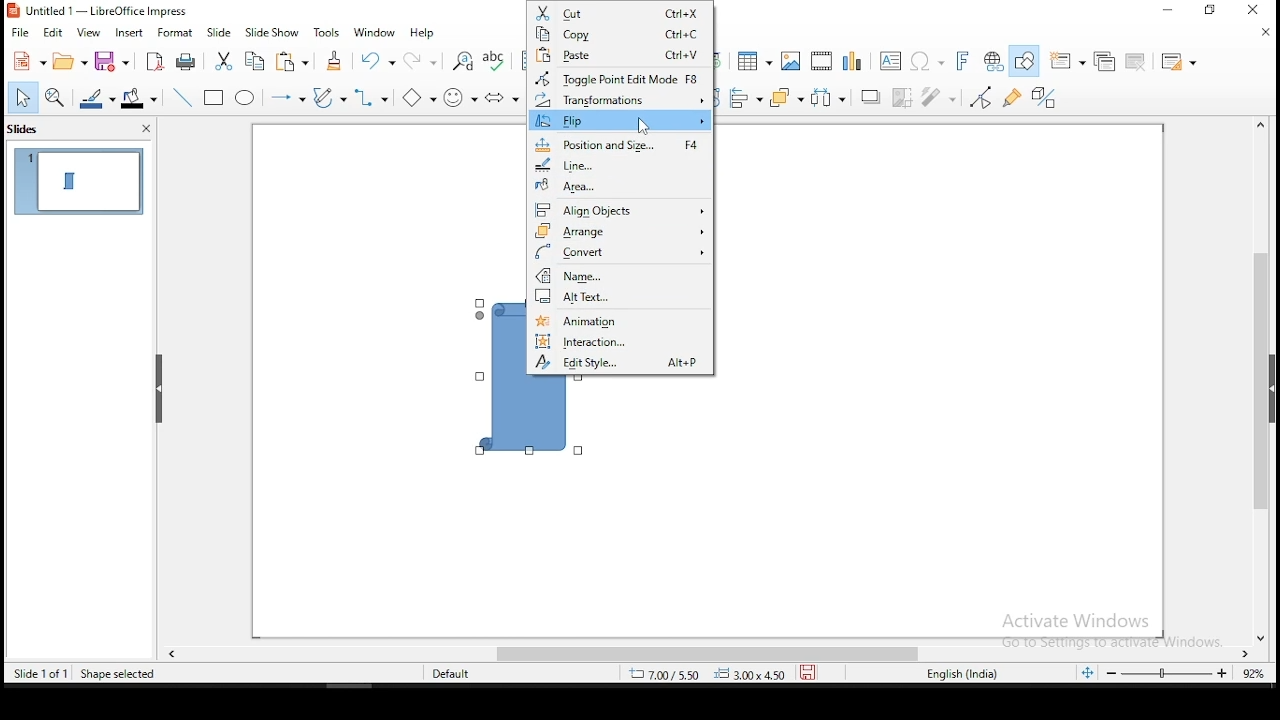 Image resolution: width=1280 pixels, height=720 pixels. What do you see at coordinates (111, 62) in the screenshot?
I see `save` at bounding box center [111, 62].